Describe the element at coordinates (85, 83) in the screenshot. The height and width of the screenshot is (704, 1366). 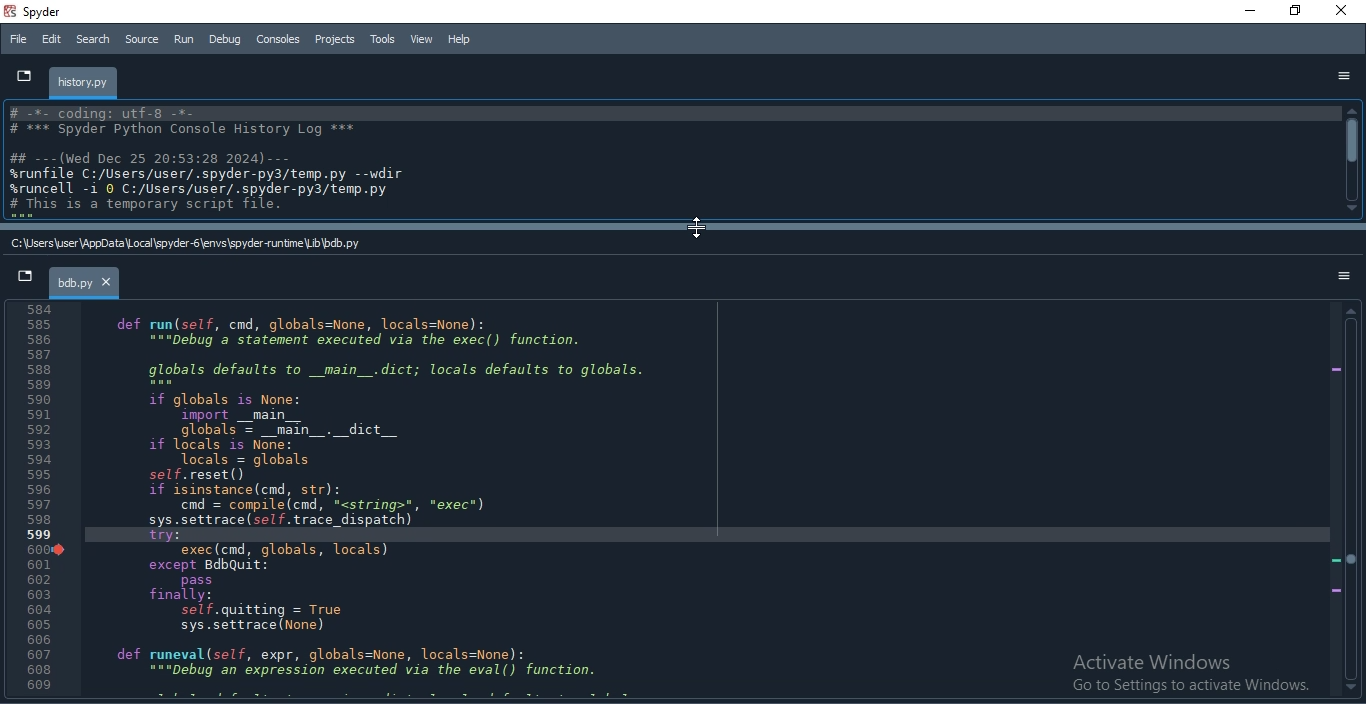
I see `tab title` at that location.